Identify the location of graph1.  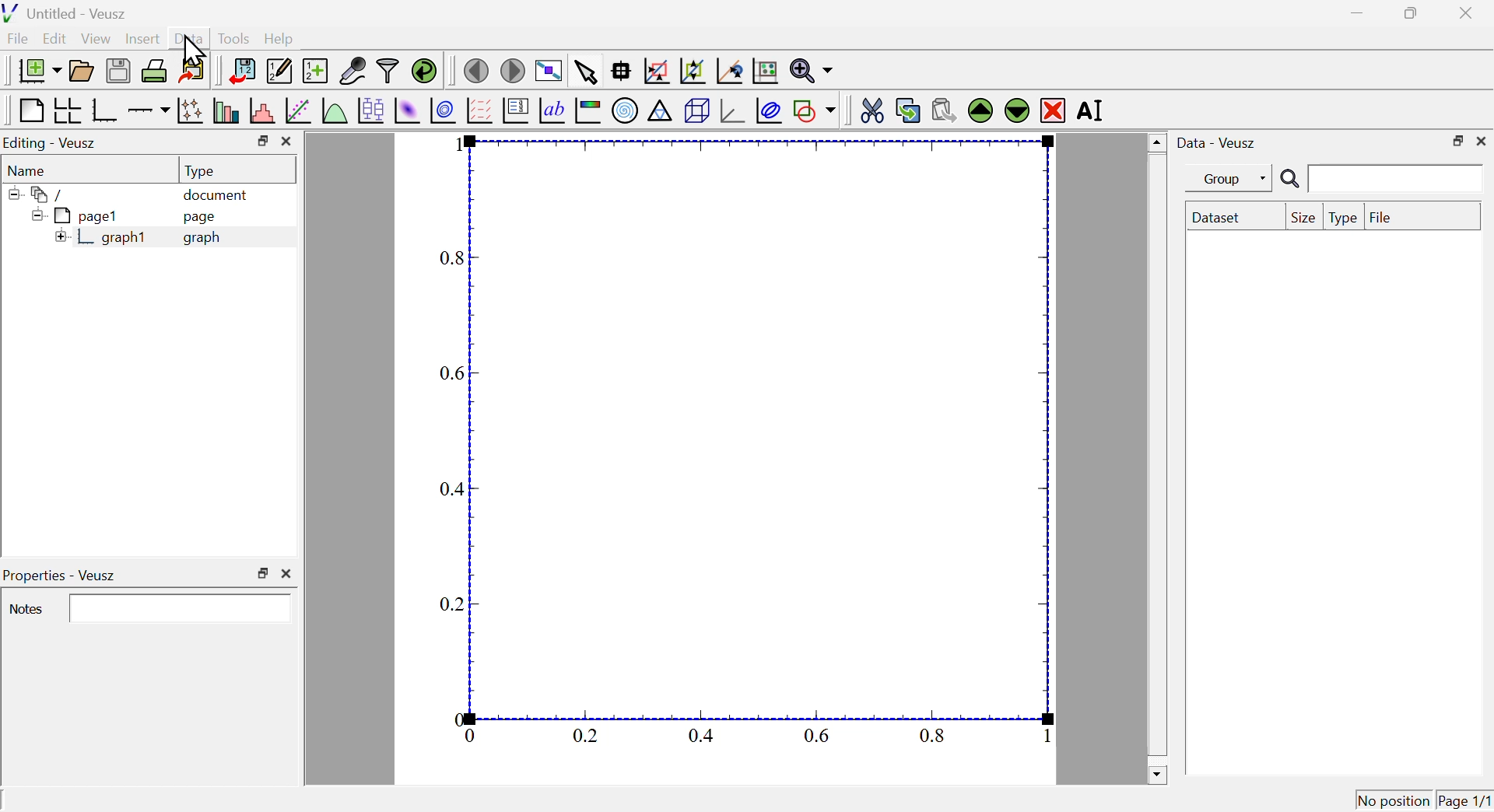
(103, 238).